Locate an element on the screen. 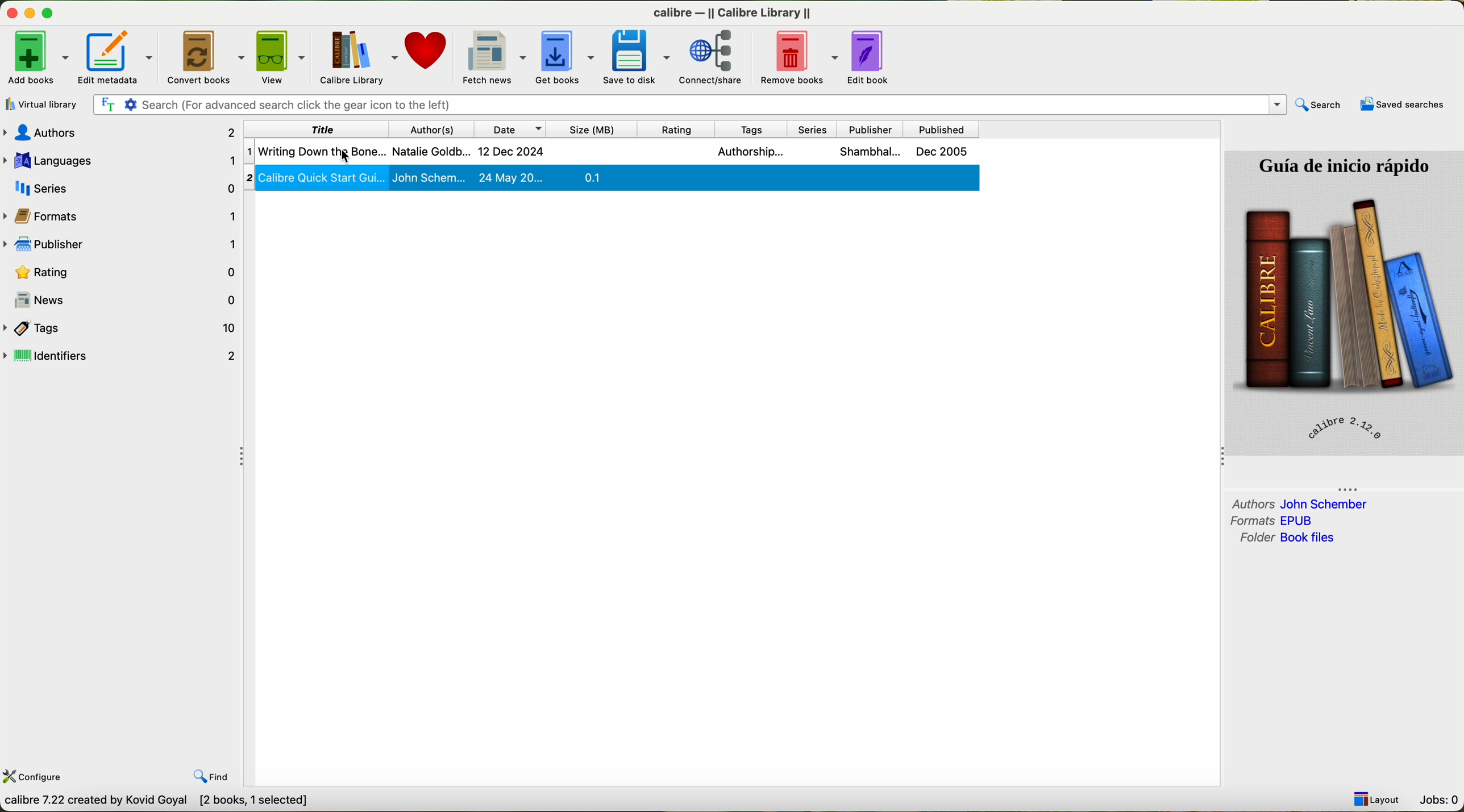 The height and width of the screenshot is (812, 1464). disable buttons is located at coordinates (30, 11).